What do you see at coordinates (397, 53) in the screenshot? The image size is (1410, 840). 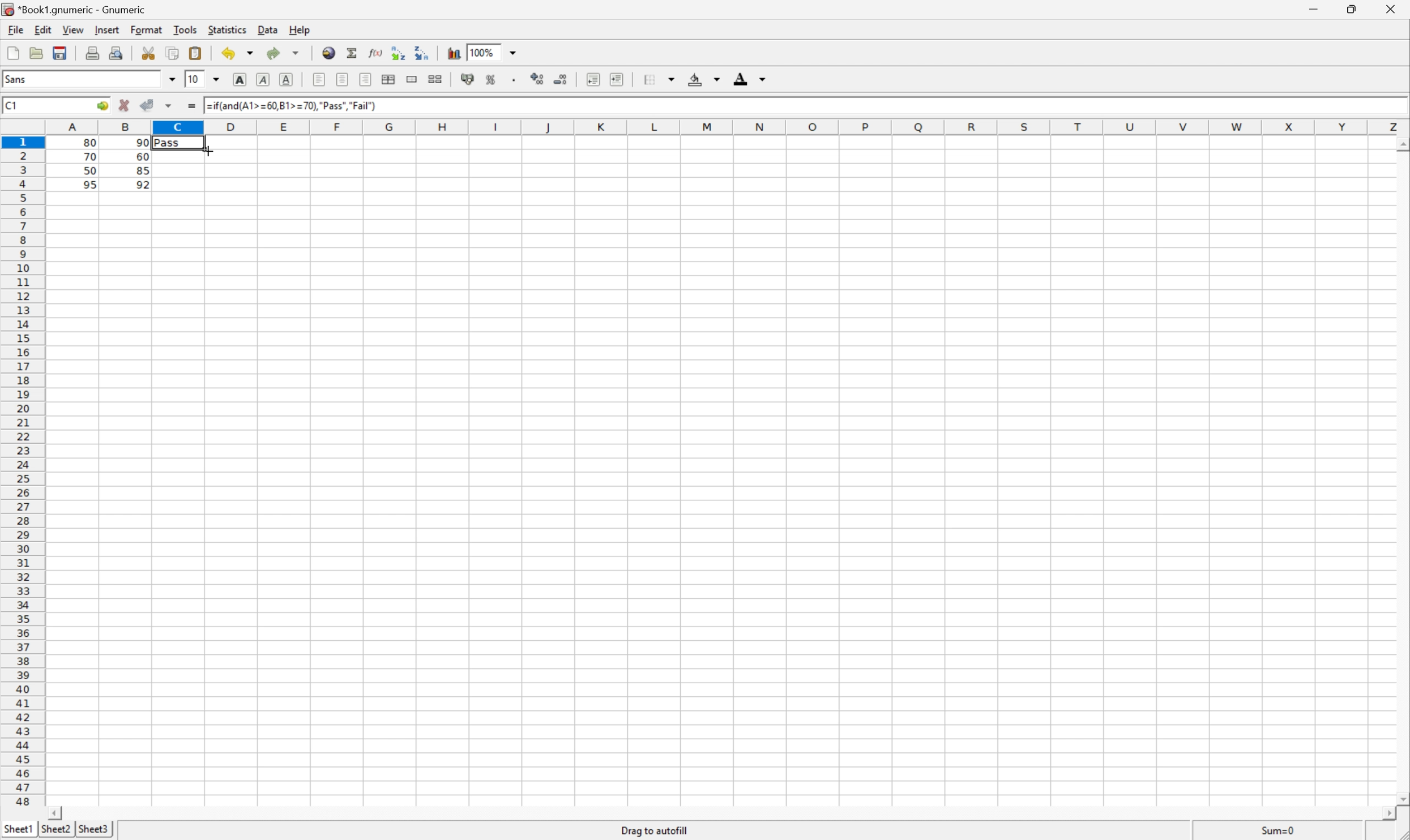 I see `Sort the selected region in ascending order based on the first column selected` at bounding box center [397, 53].